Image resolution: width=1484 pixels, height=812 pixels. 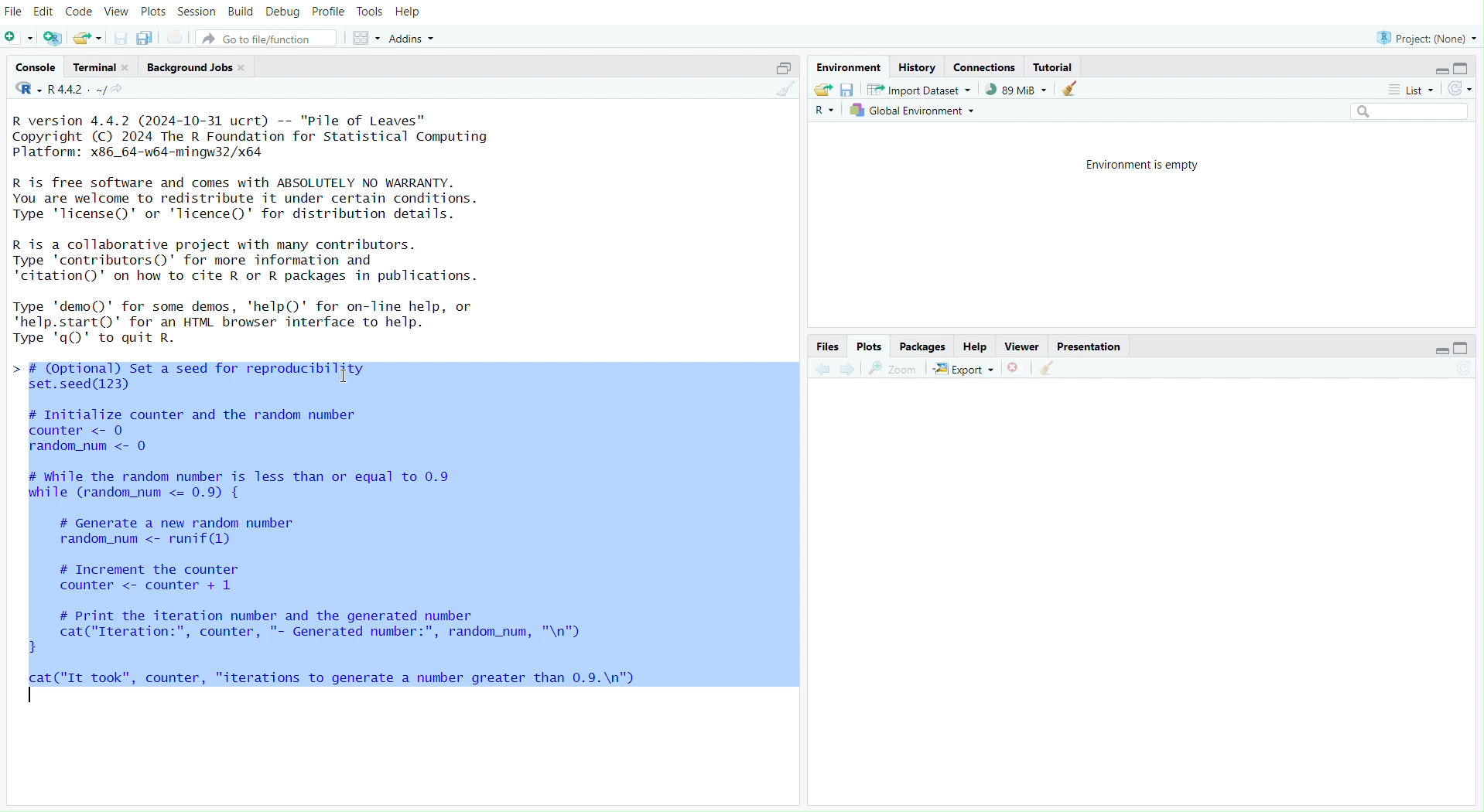 I want to click on Presentation, so click(x=1092, y=346).